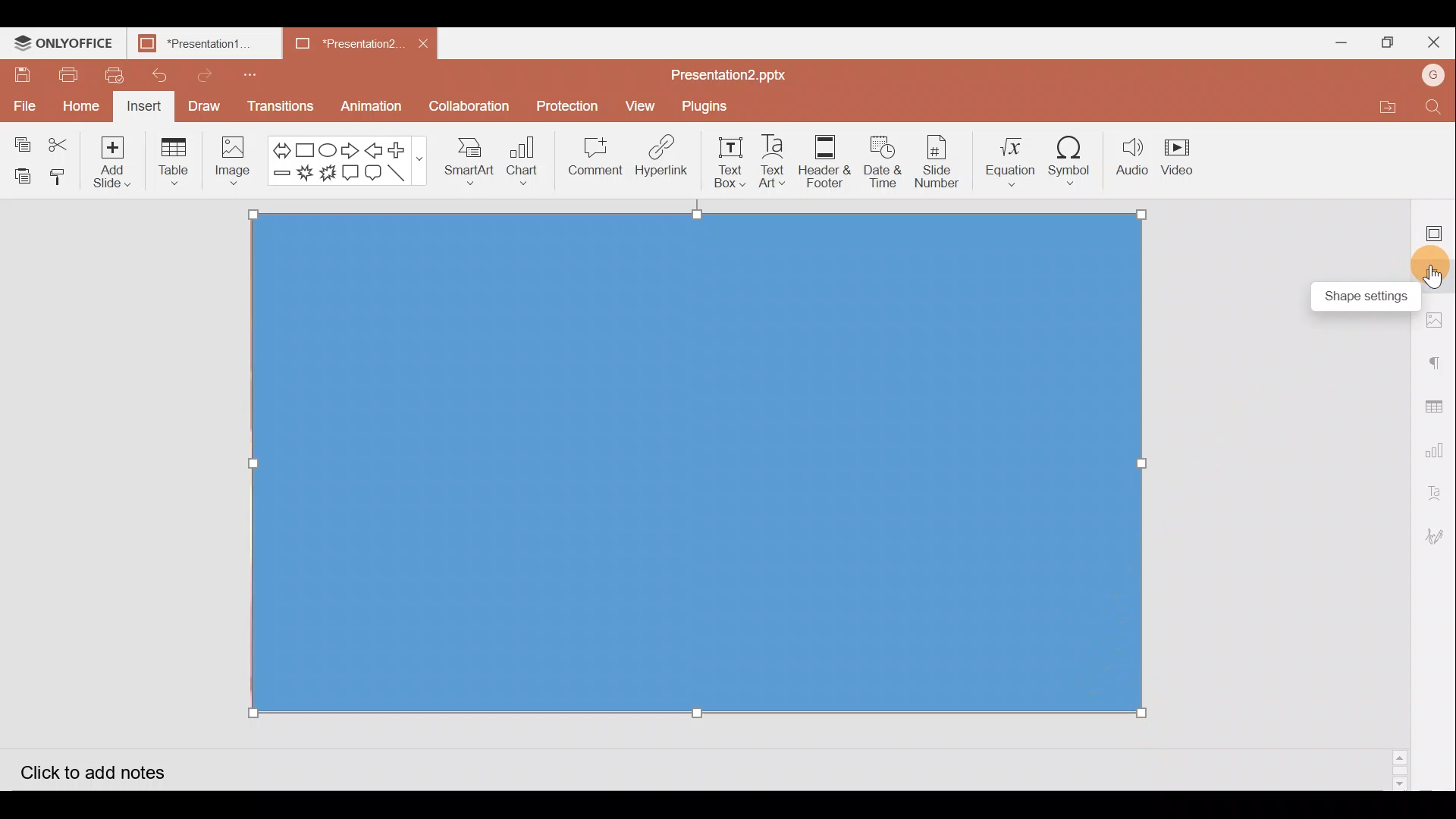 This screenshot has height=819, width=1456. Describe the element at coordinates (1439, 320) in the screenshot. I see `Image settings` at that location.